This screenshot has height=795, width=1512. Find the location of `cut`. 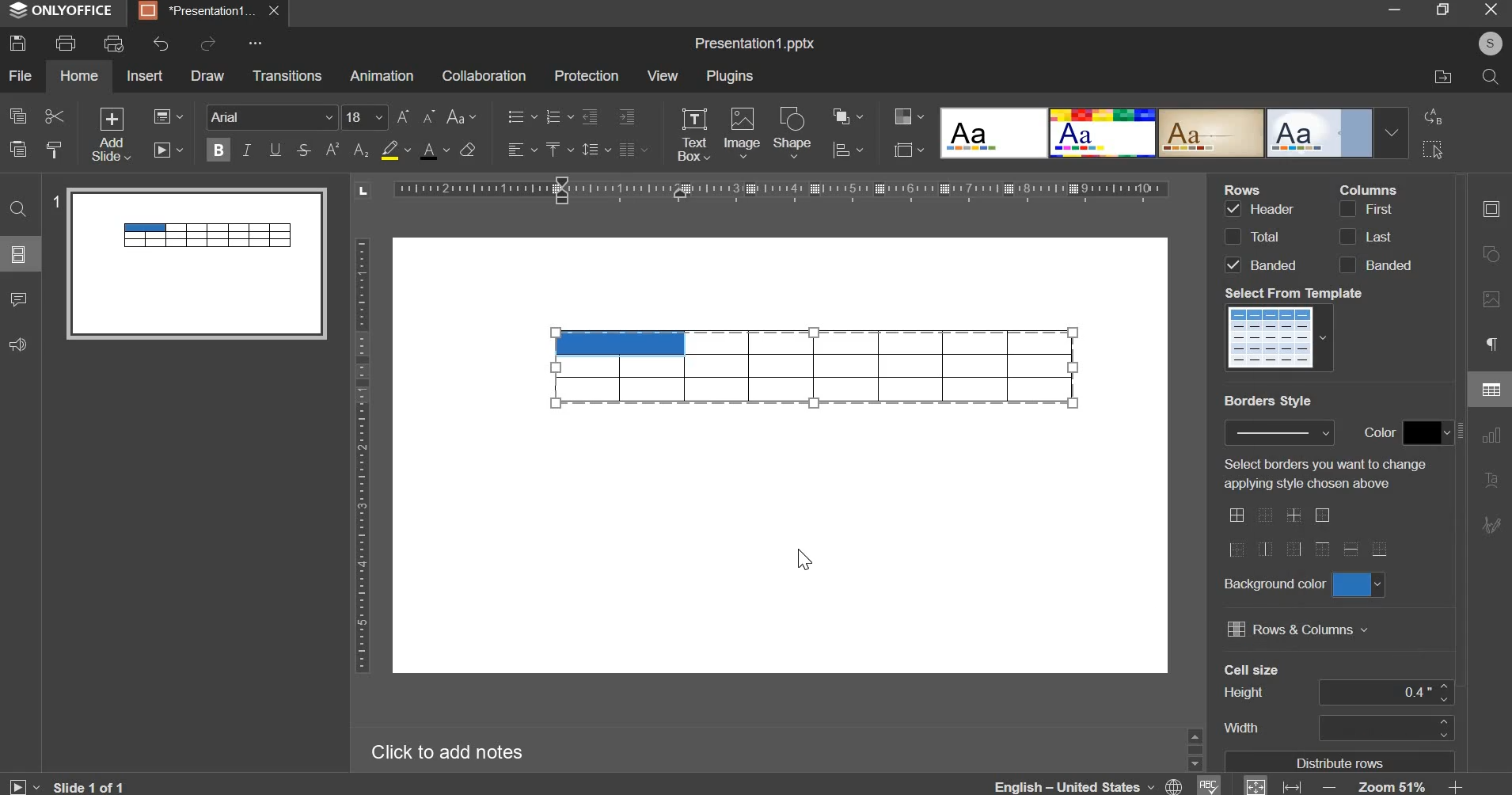

cut is located at coordinates (53, 117).